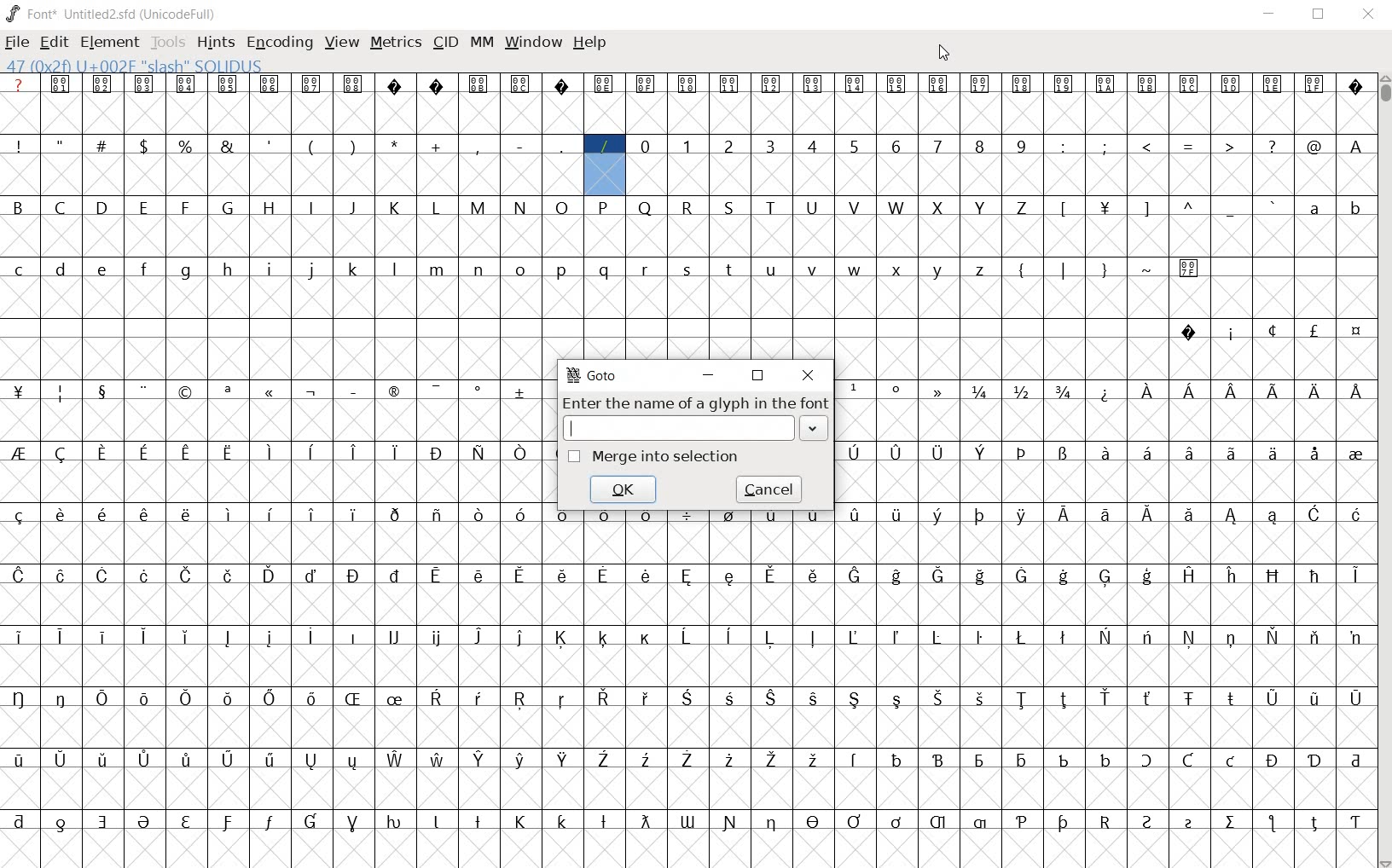 The image size is (1392, 868). I want to click on glyph, so click(19, 391).